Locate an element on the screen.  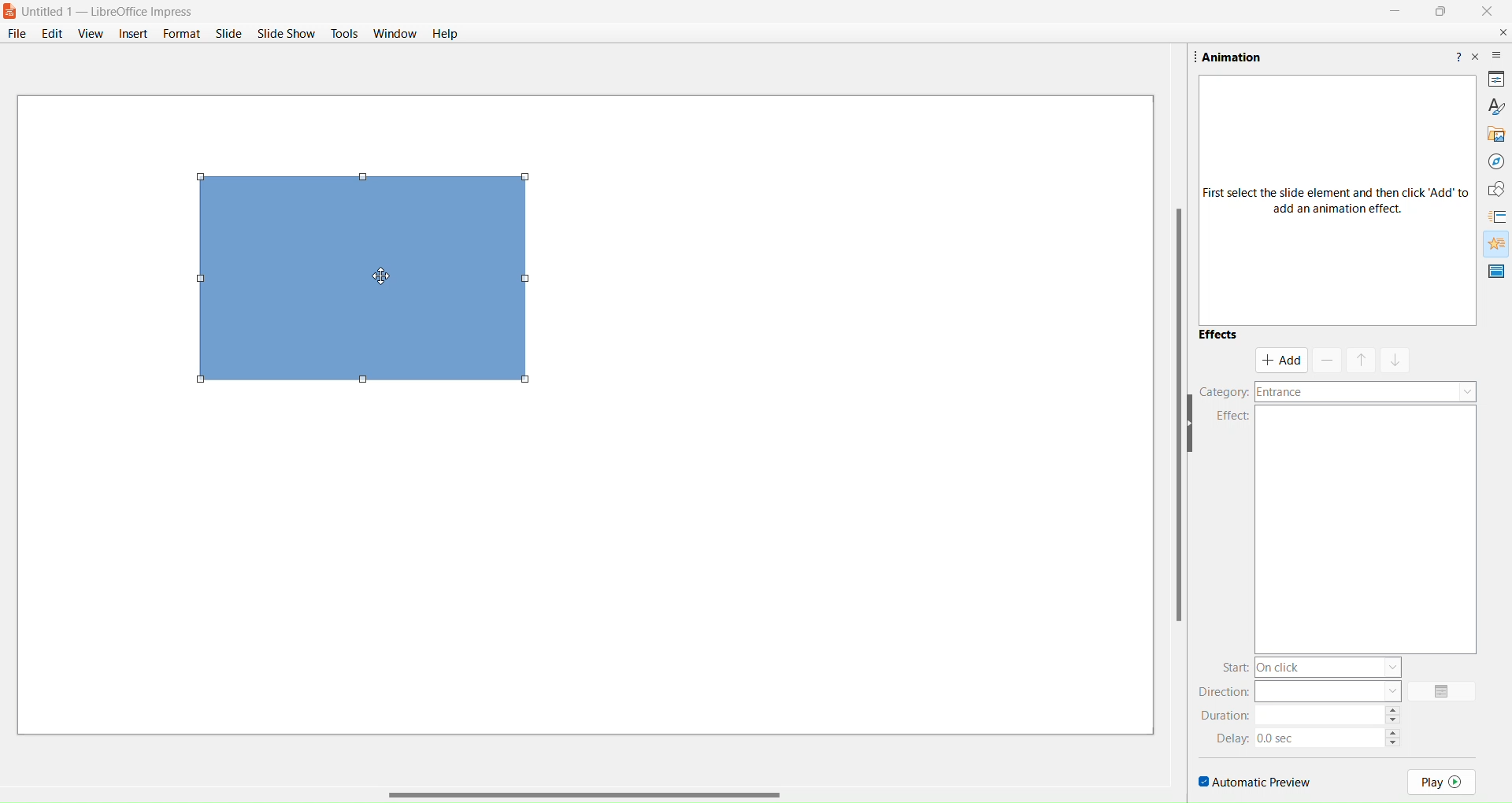
Maximise is located at coordinates (1438, 13).